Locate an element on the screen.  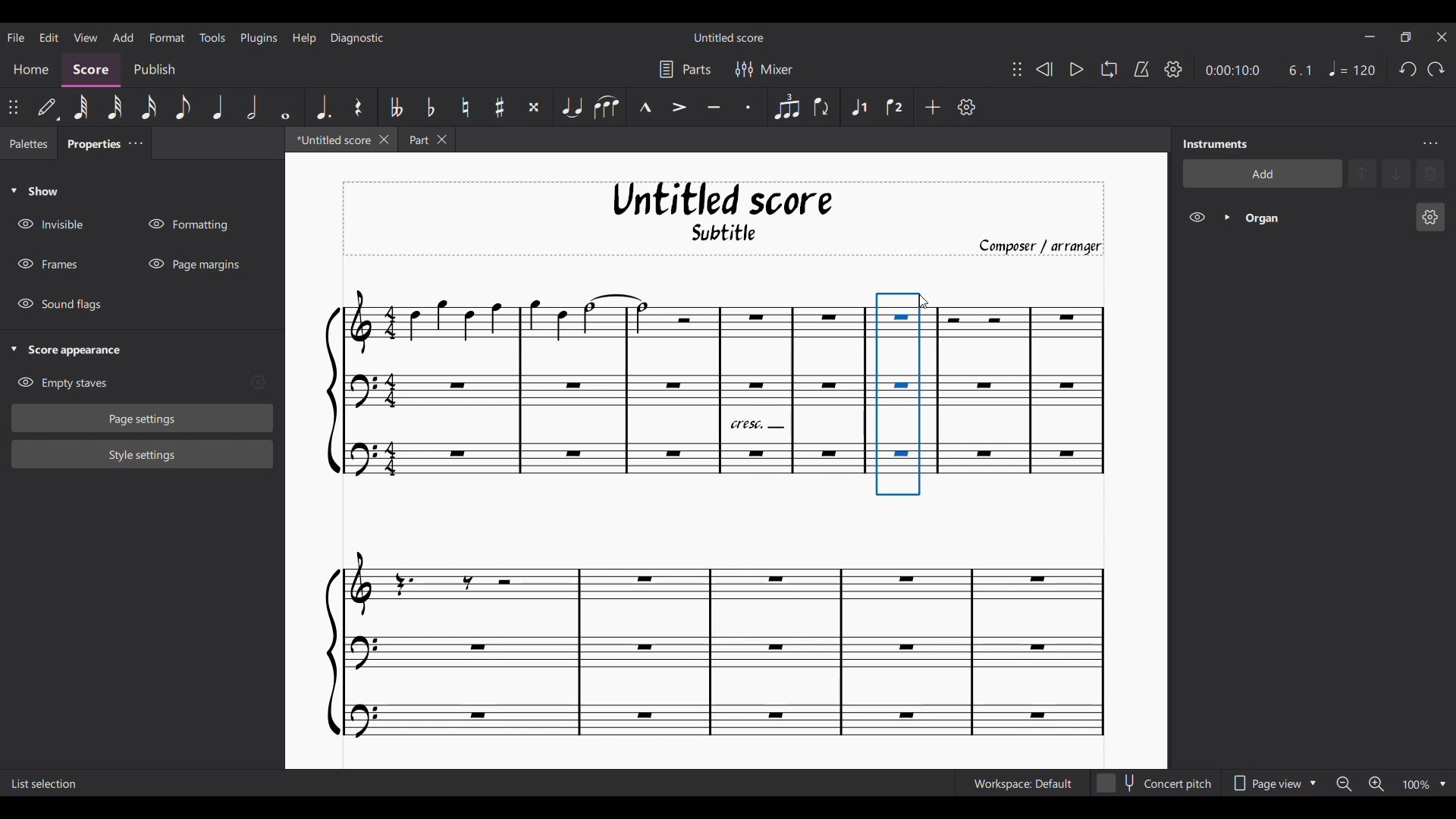
Collapse Show is located at coordinates (34, 190).